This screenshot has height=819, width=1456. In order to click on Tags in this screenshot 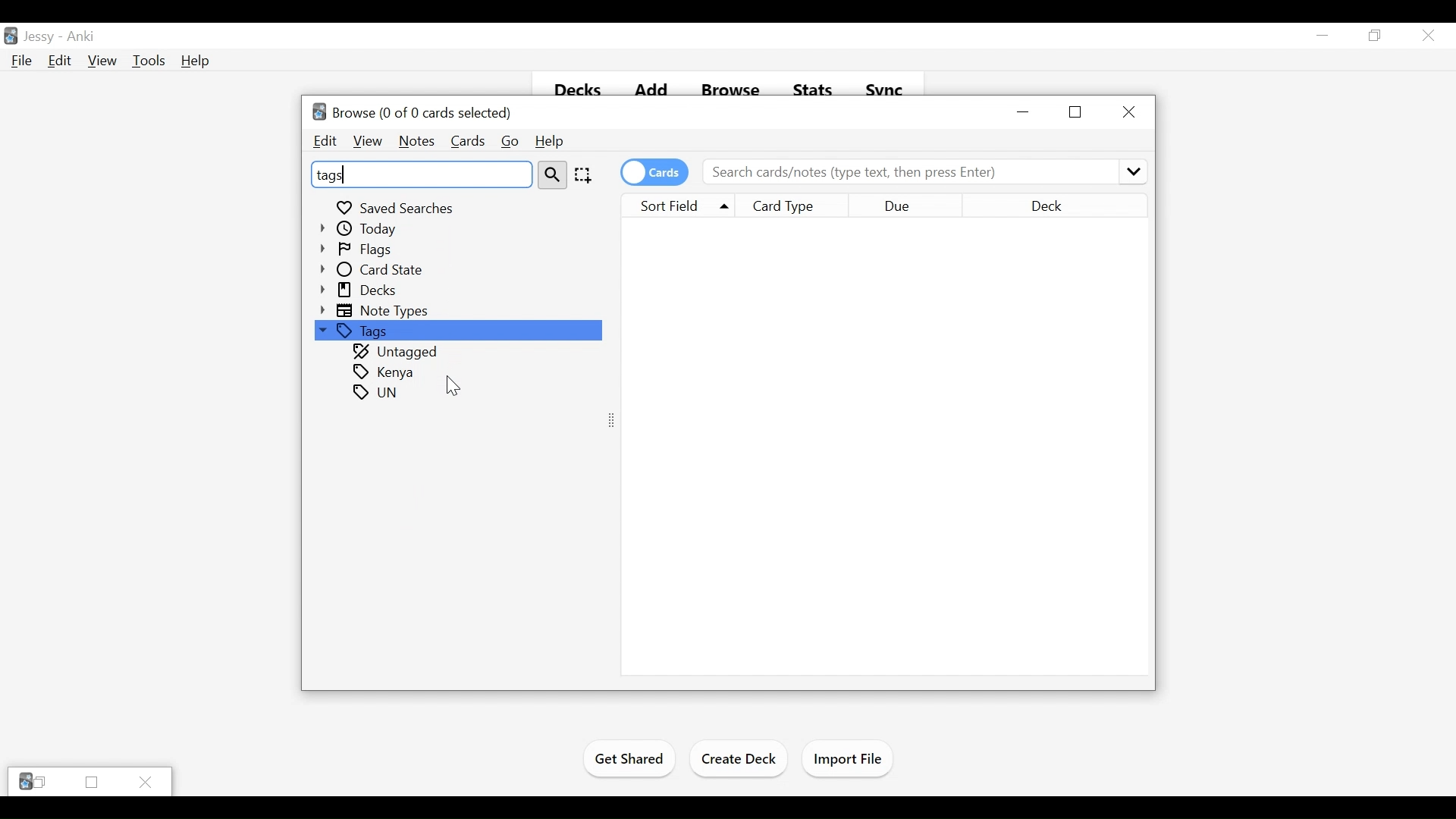, I will do `click(384, 372)`.